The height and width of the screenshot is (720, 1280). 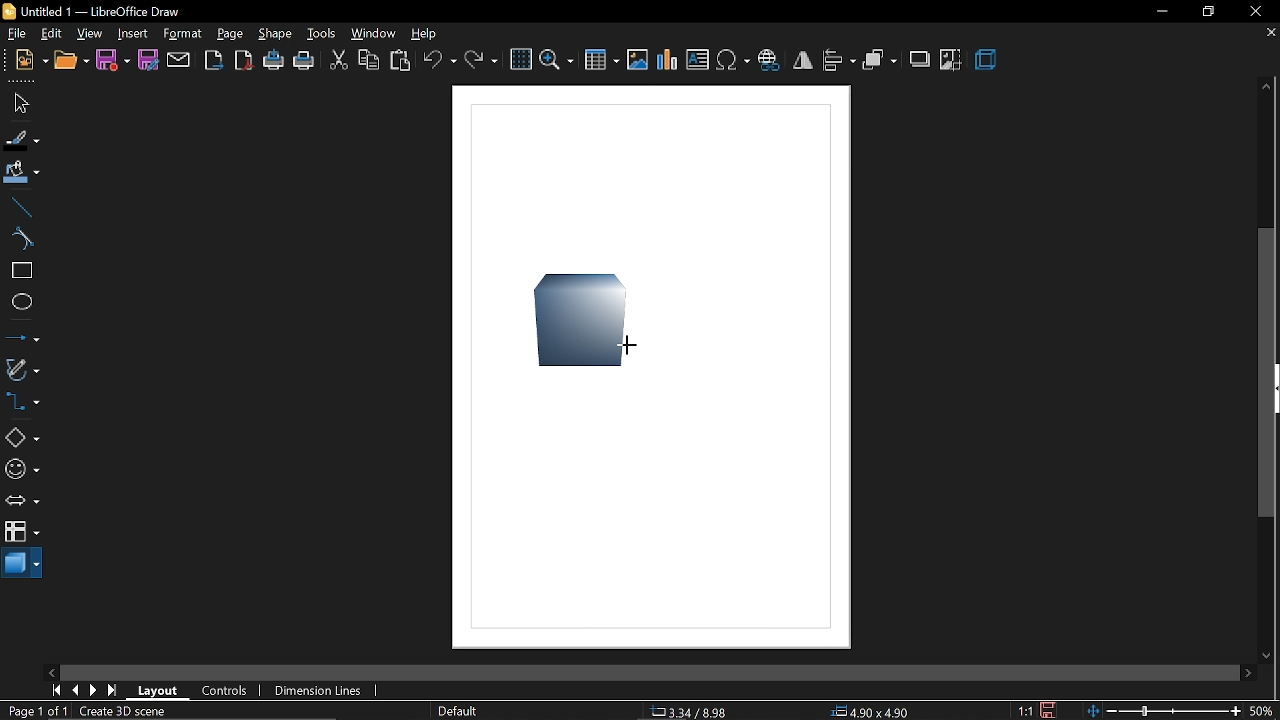 What do you see at coordinates (1050, 710) in the screenshot?
I see `save` at bounding box center [1050, 710].